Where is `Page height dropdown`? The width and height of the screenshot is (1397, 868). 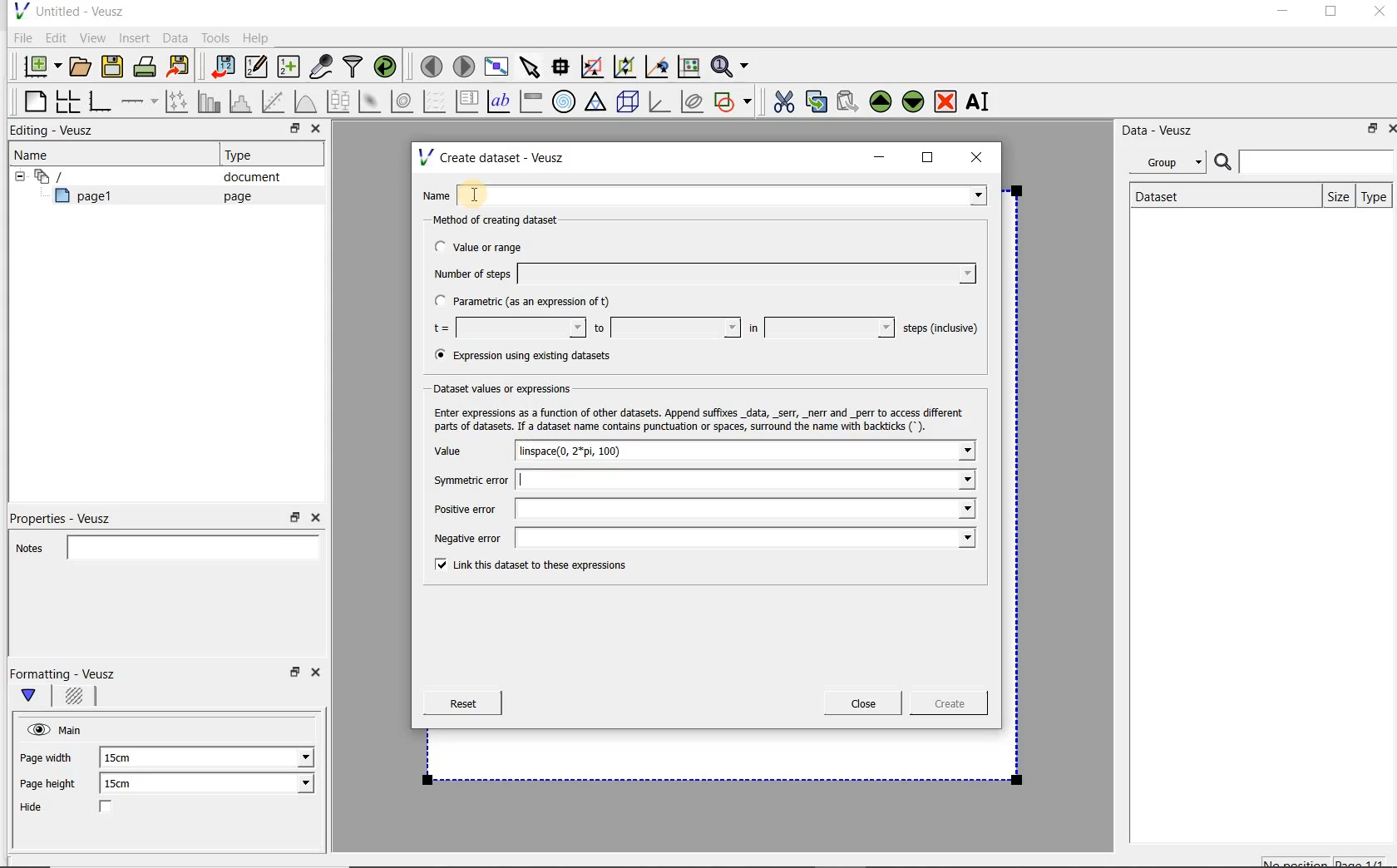 Page height dropdown is located at coordinates (294, 785).